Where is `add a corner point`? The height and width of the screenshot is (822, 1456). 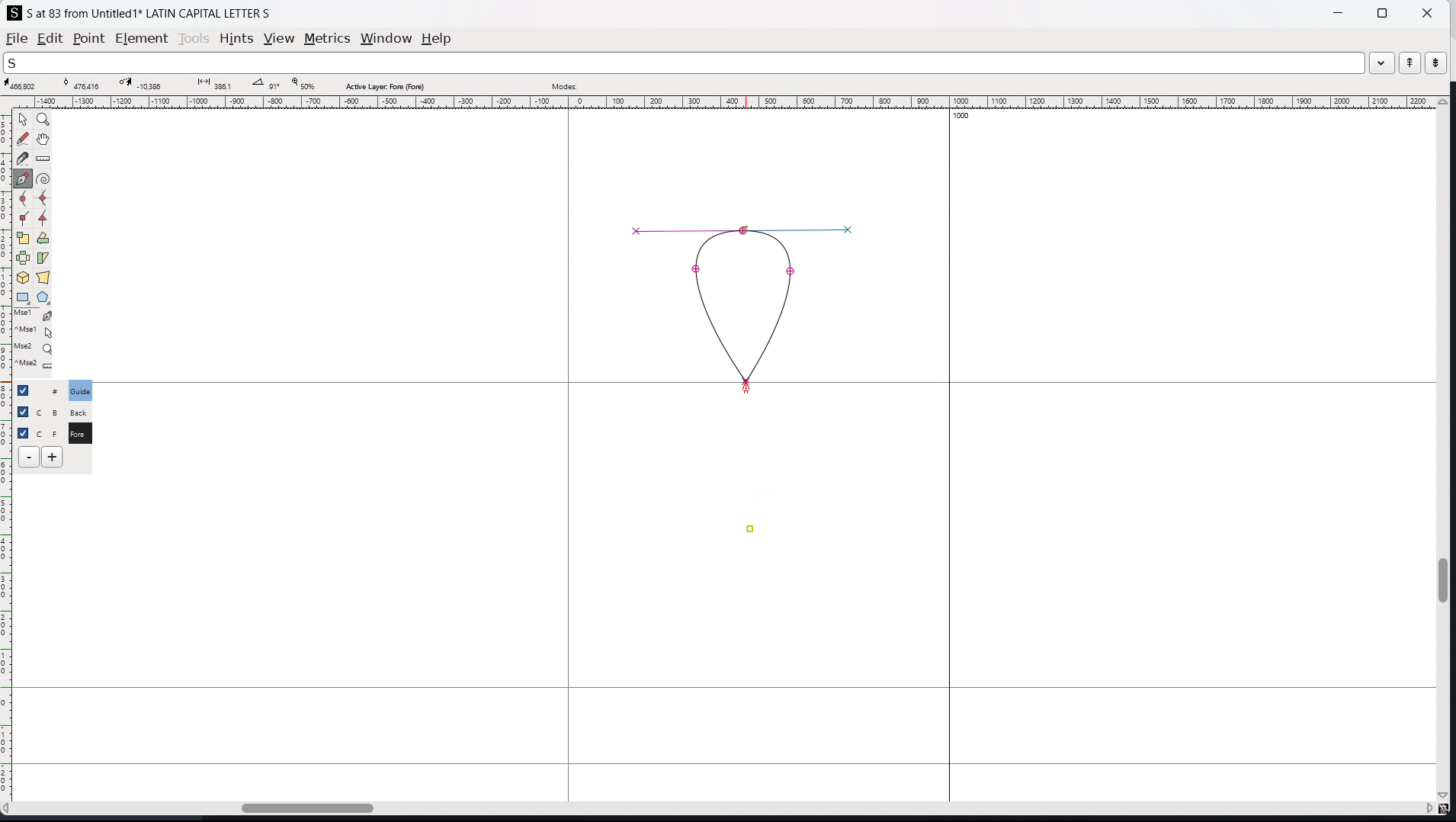 add a corner point is located at coordinates (24, 220).